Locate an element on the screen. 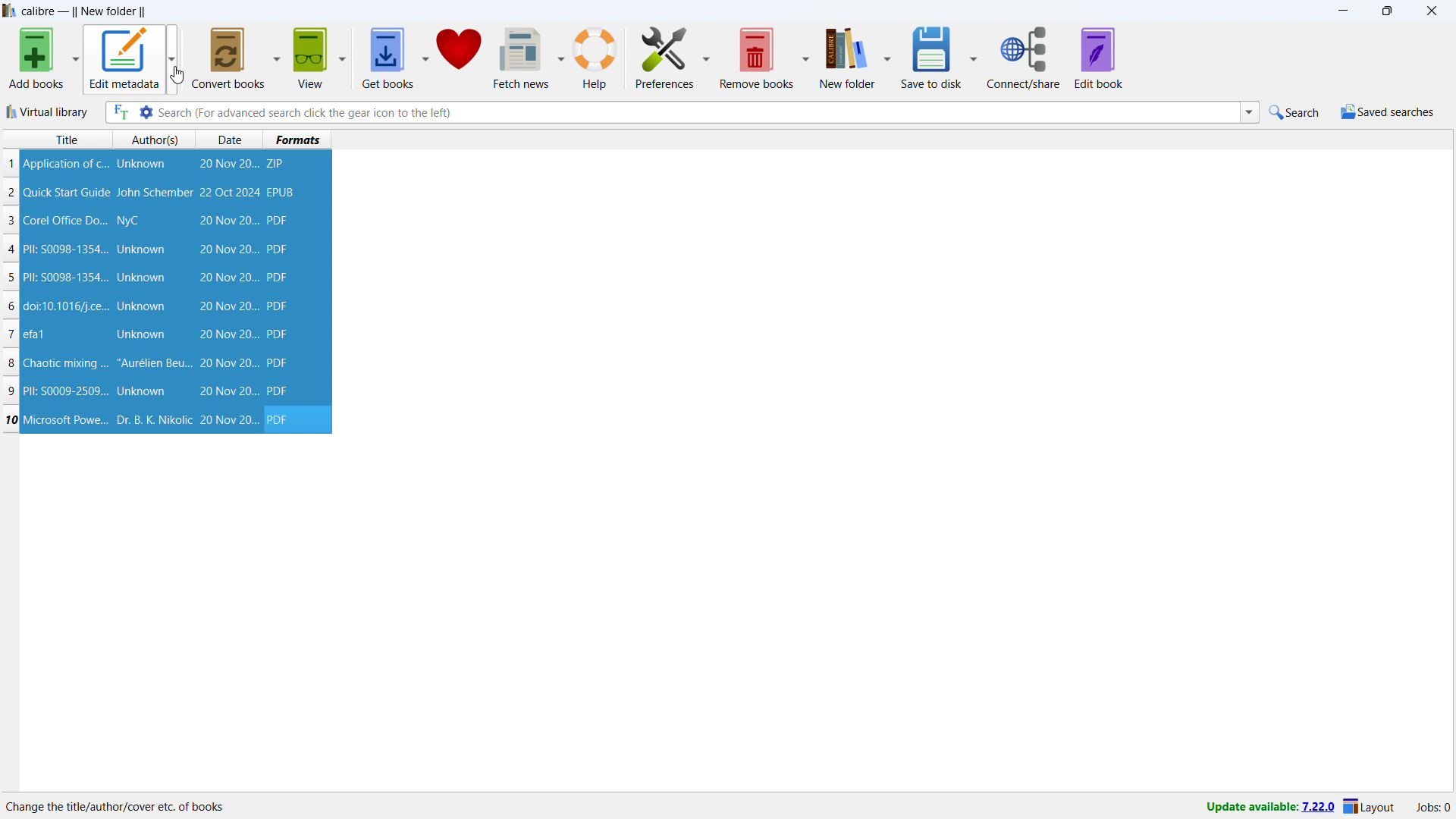 Image resolution: width=1456 pixels, height=819 pixels. fetch new options is located at coordinates (560, 56).